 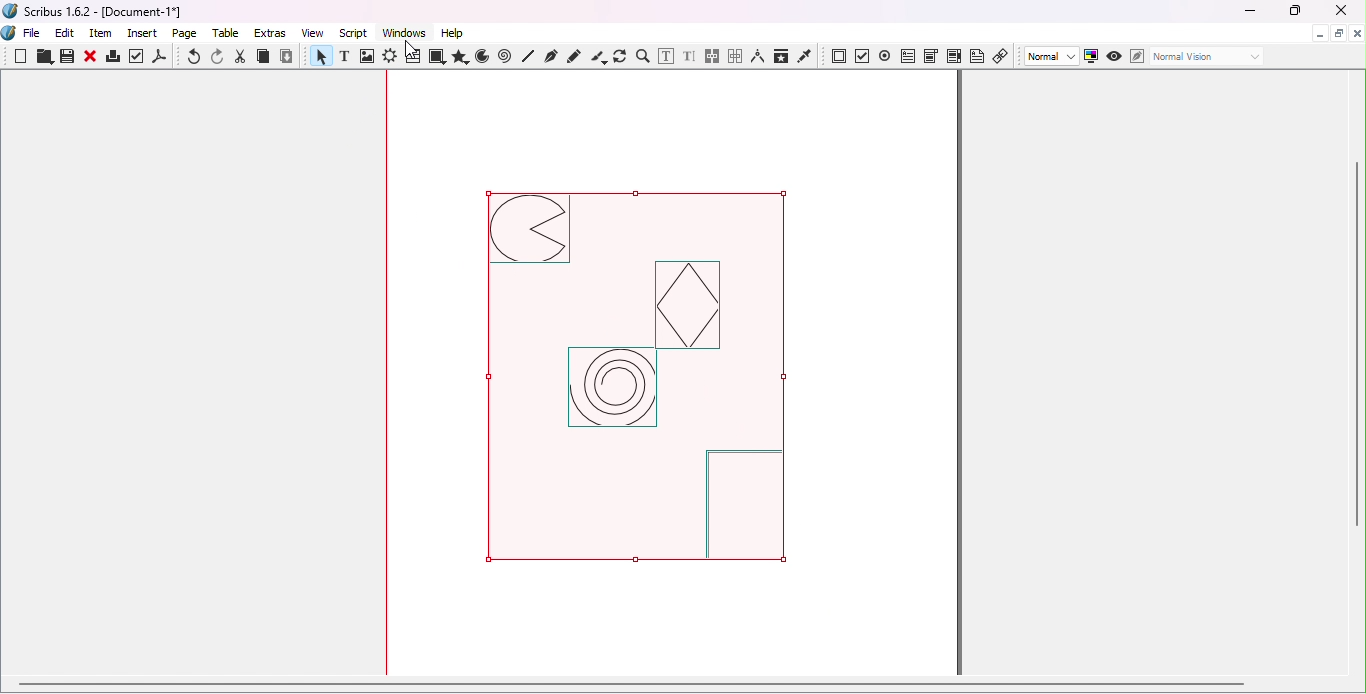 What do you see at coordinates (145, 31) in the screenshot?
I see `Insert` at bounding box center [145, 31].